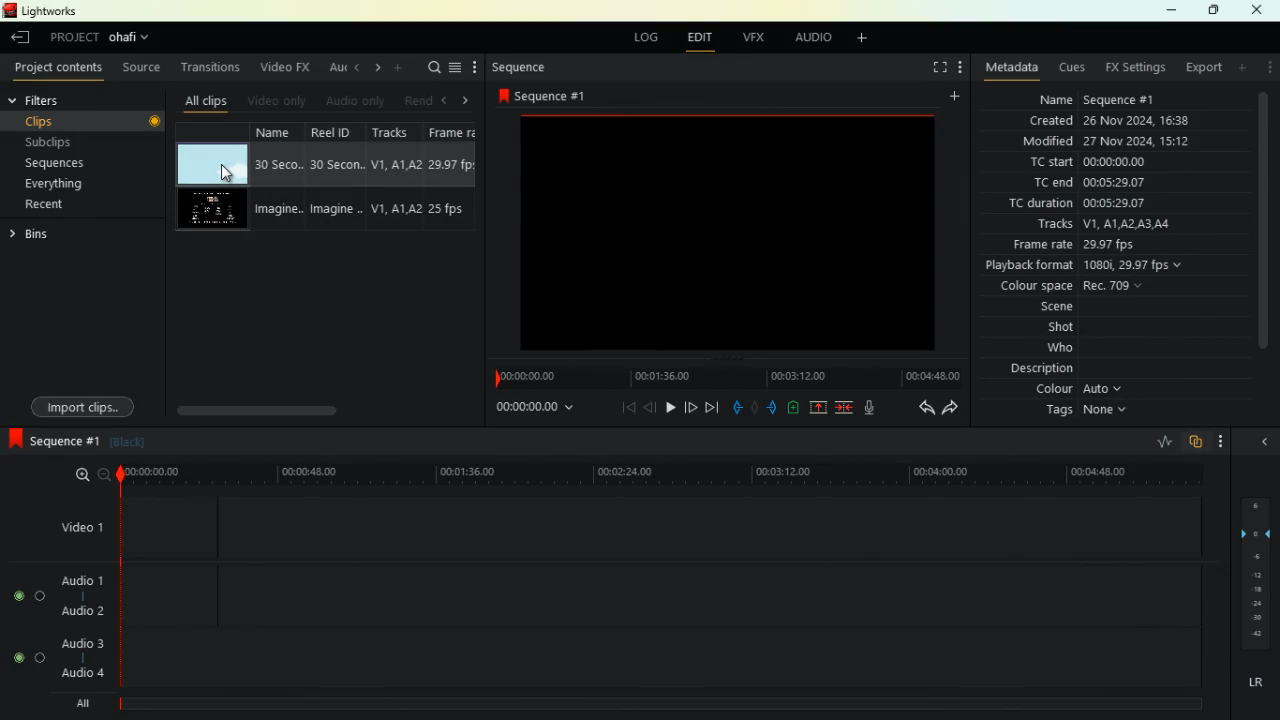 The width and height of the screenshot is (1280, 720). Describe the element at coordinates (55, 98) in the screenshot. I see `filters` at that location.